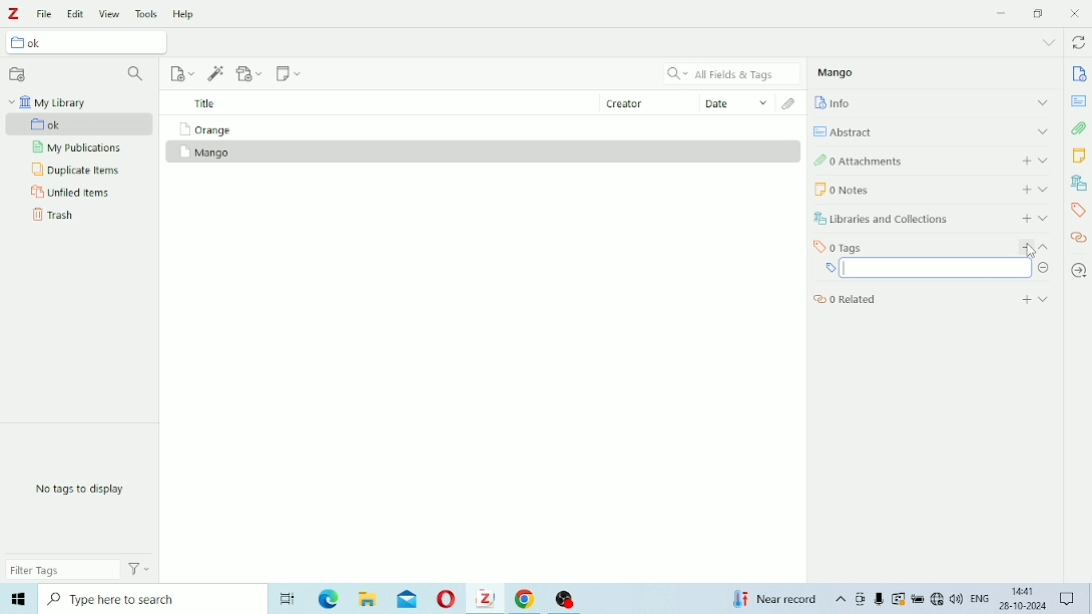  I want to click on Attachments, so click(790, 104).